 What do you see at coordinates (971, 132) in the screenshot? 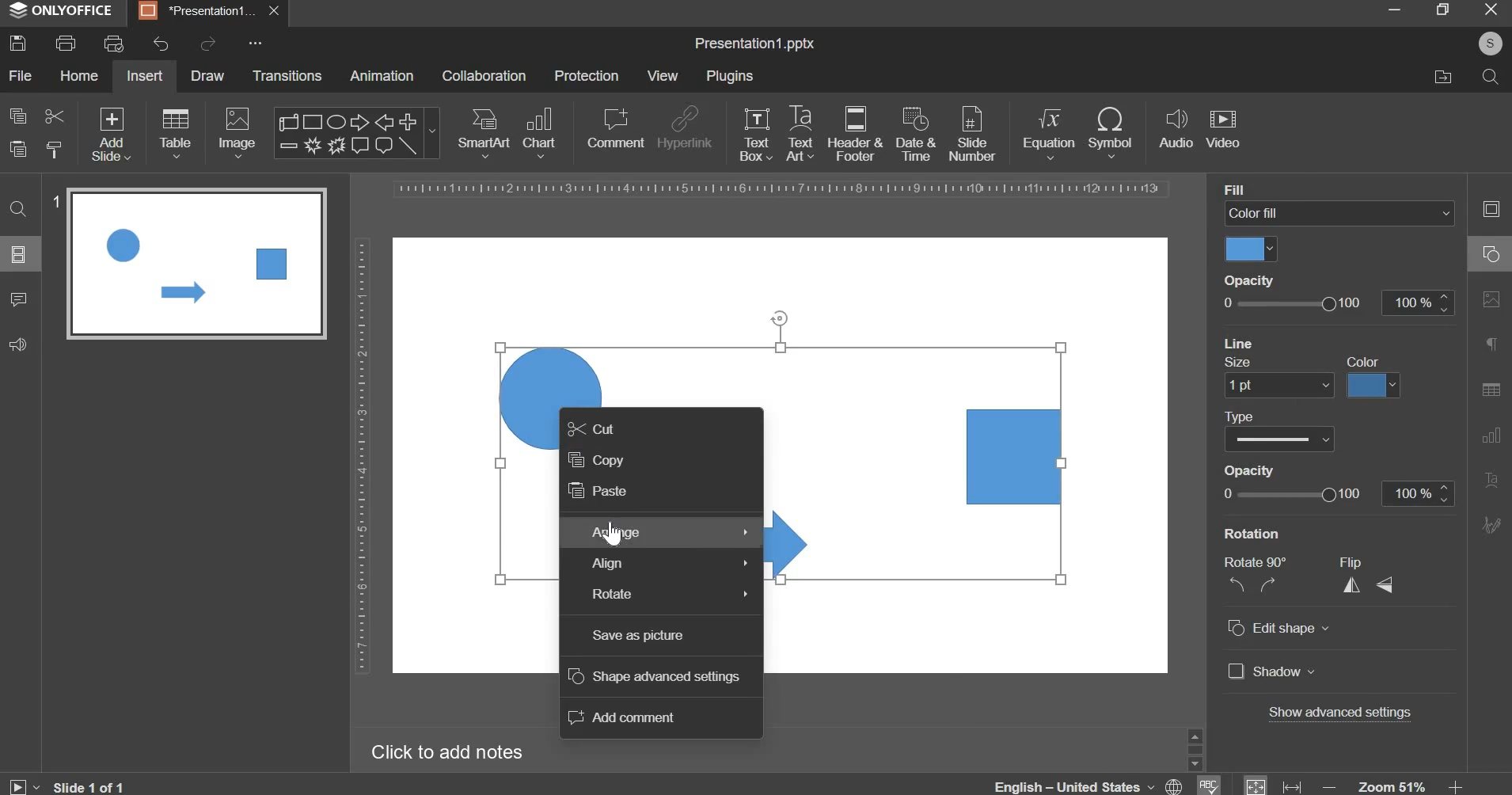
I see `slide number` at bounding box center [971, 132].